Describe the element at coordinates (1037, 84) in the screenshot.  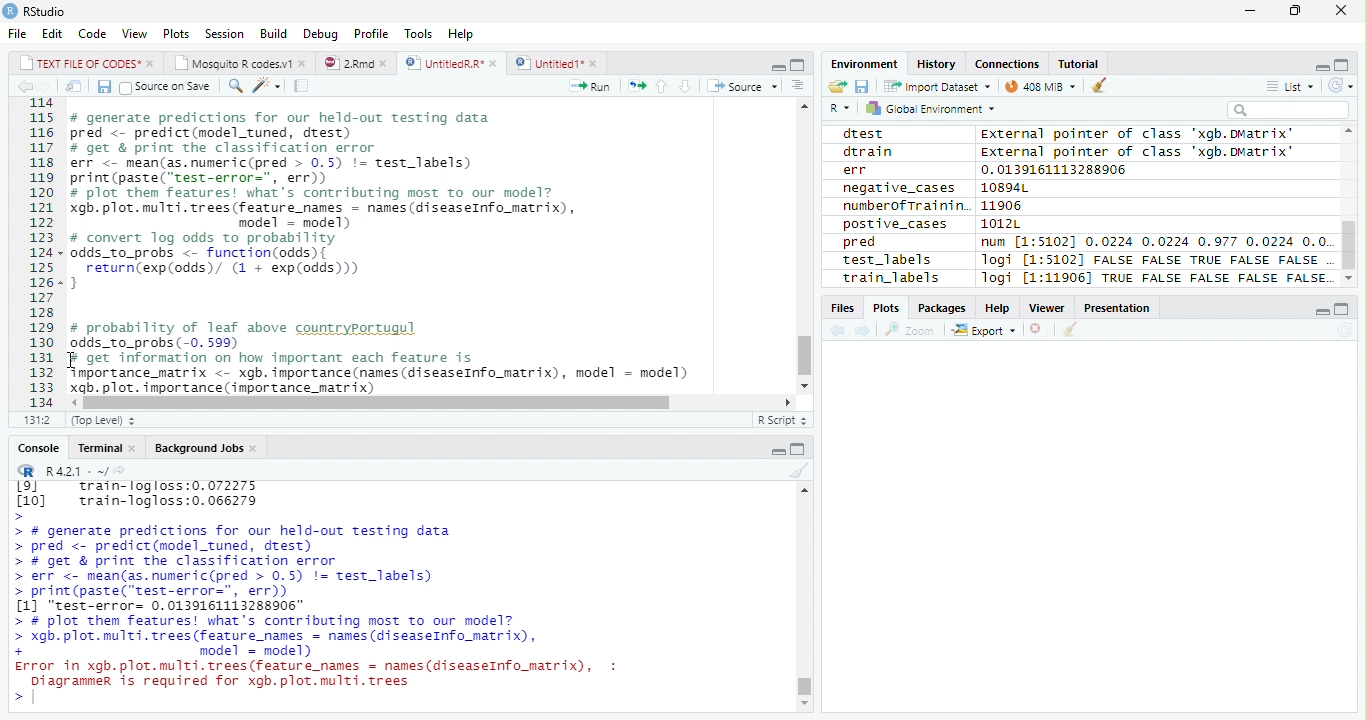
I see `44MiB` at that location.